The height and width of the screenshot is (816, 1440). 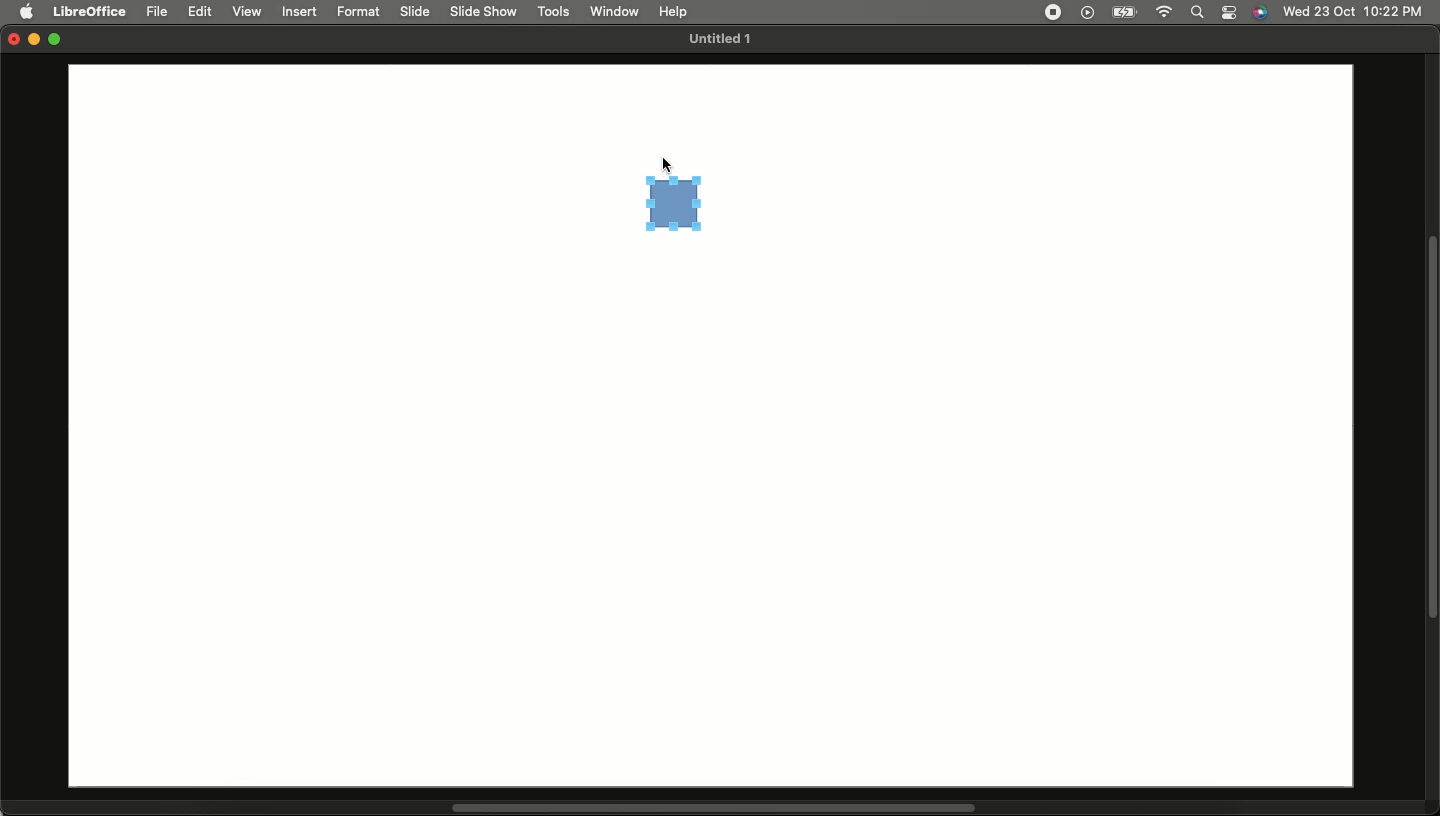 I want to click on Square drawing, so click(x=680, y=199).